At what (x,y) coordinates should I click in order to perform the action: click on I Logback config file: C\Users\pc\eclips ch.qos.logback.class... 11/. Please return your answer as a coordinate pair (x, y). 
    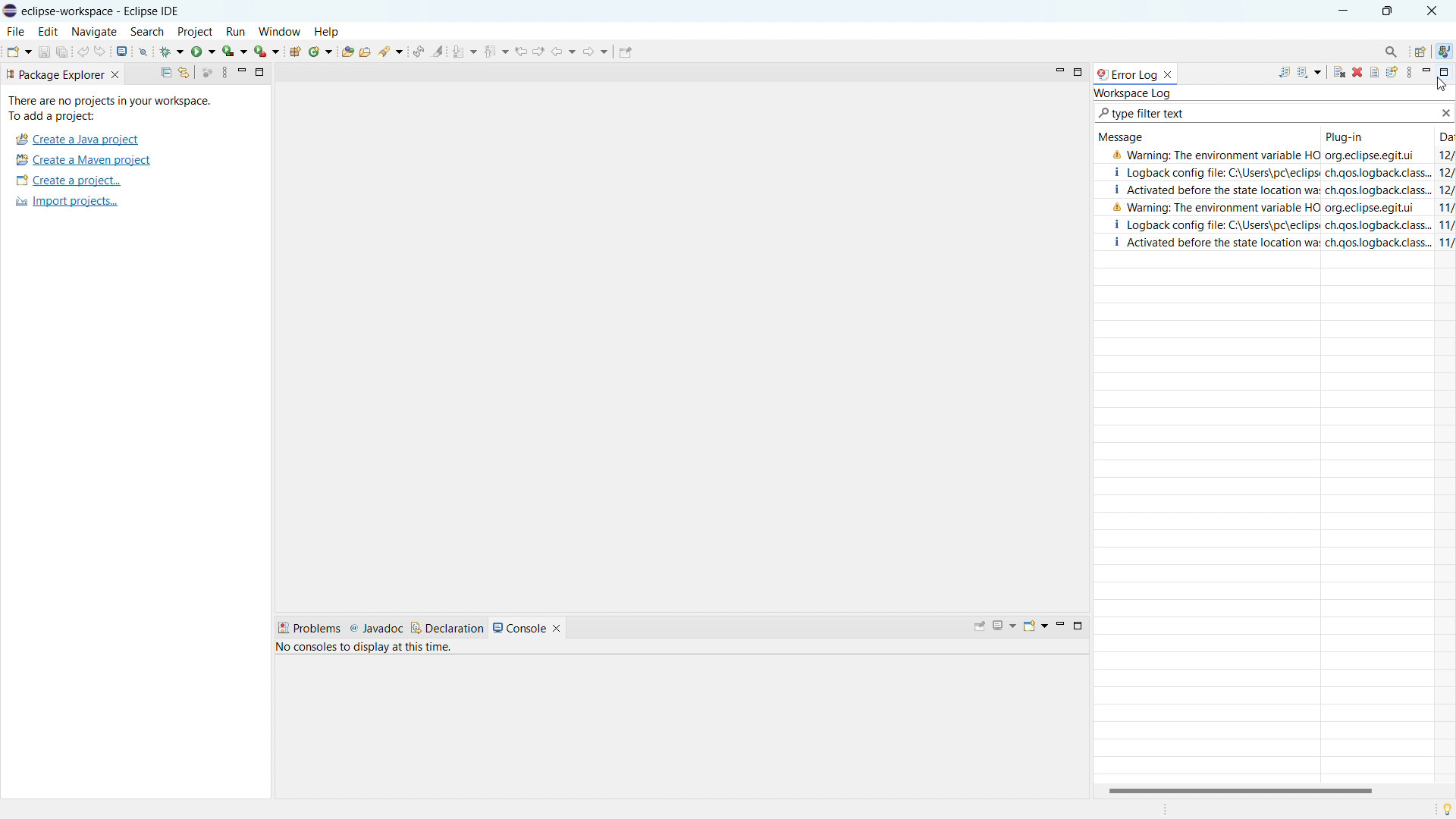
    Looking at the image, I should click on (1285, 224).